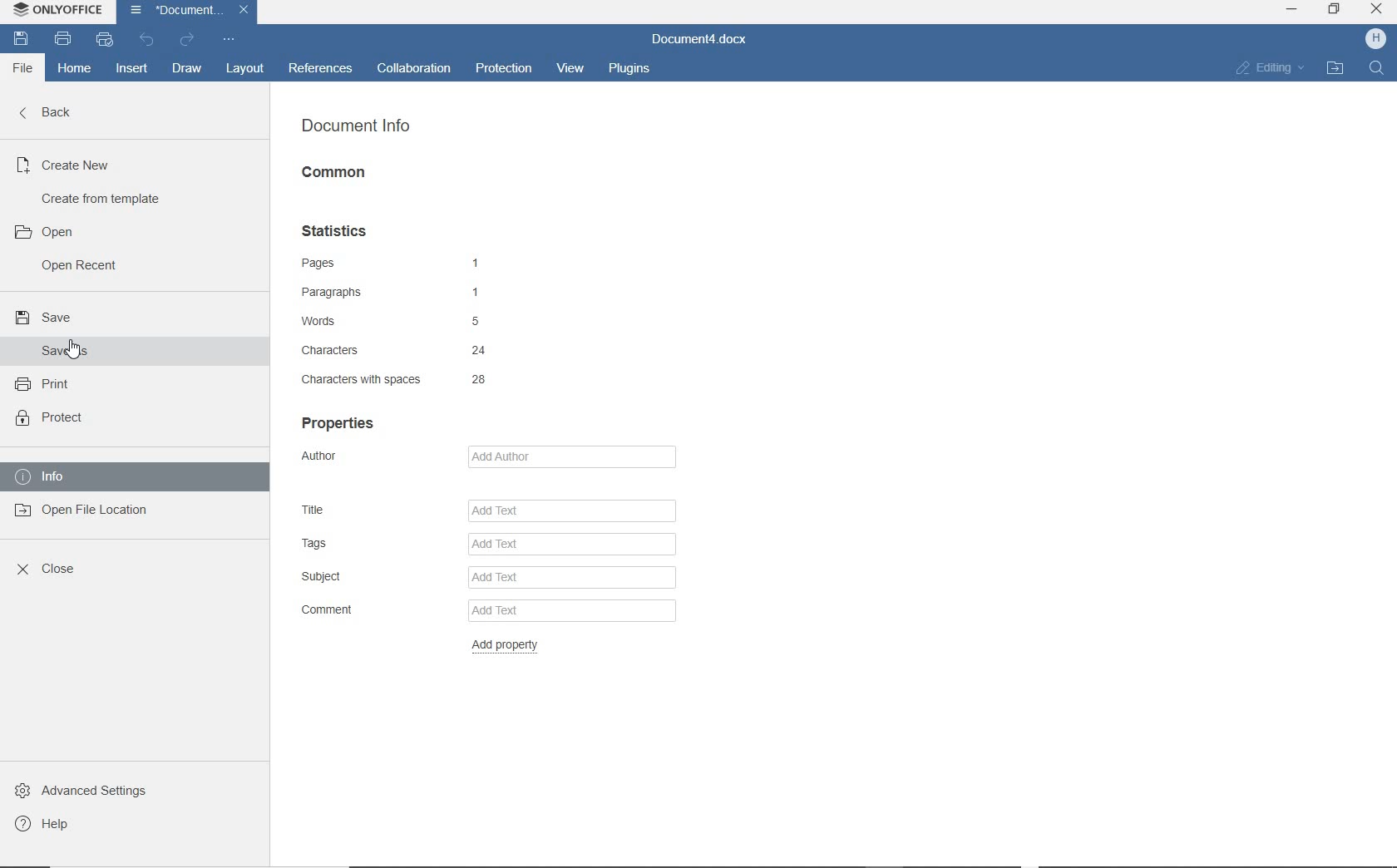 The width and height of the screenshot is (1397, 868). Describe the element at coordinates (1378, 73) in the screenshot. I see `Find` at that location.